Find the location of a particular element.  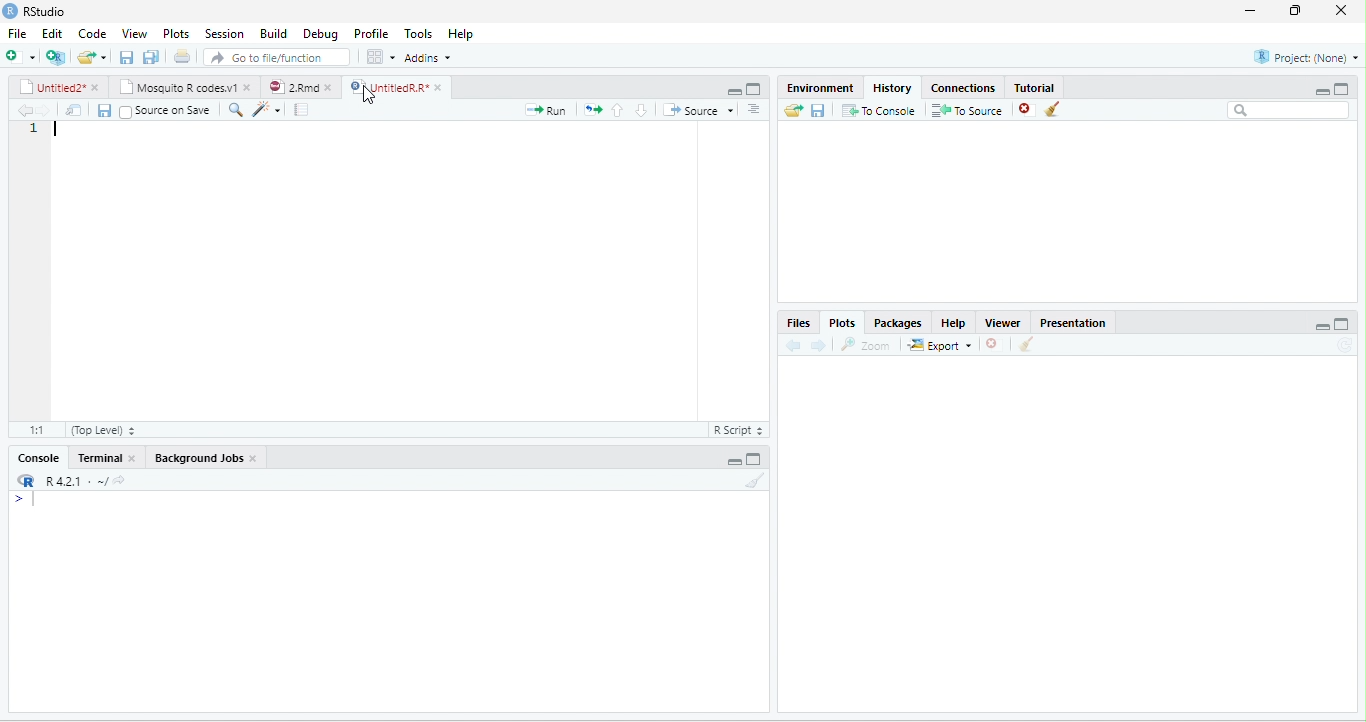

to source is located at coordinates (965, 111).